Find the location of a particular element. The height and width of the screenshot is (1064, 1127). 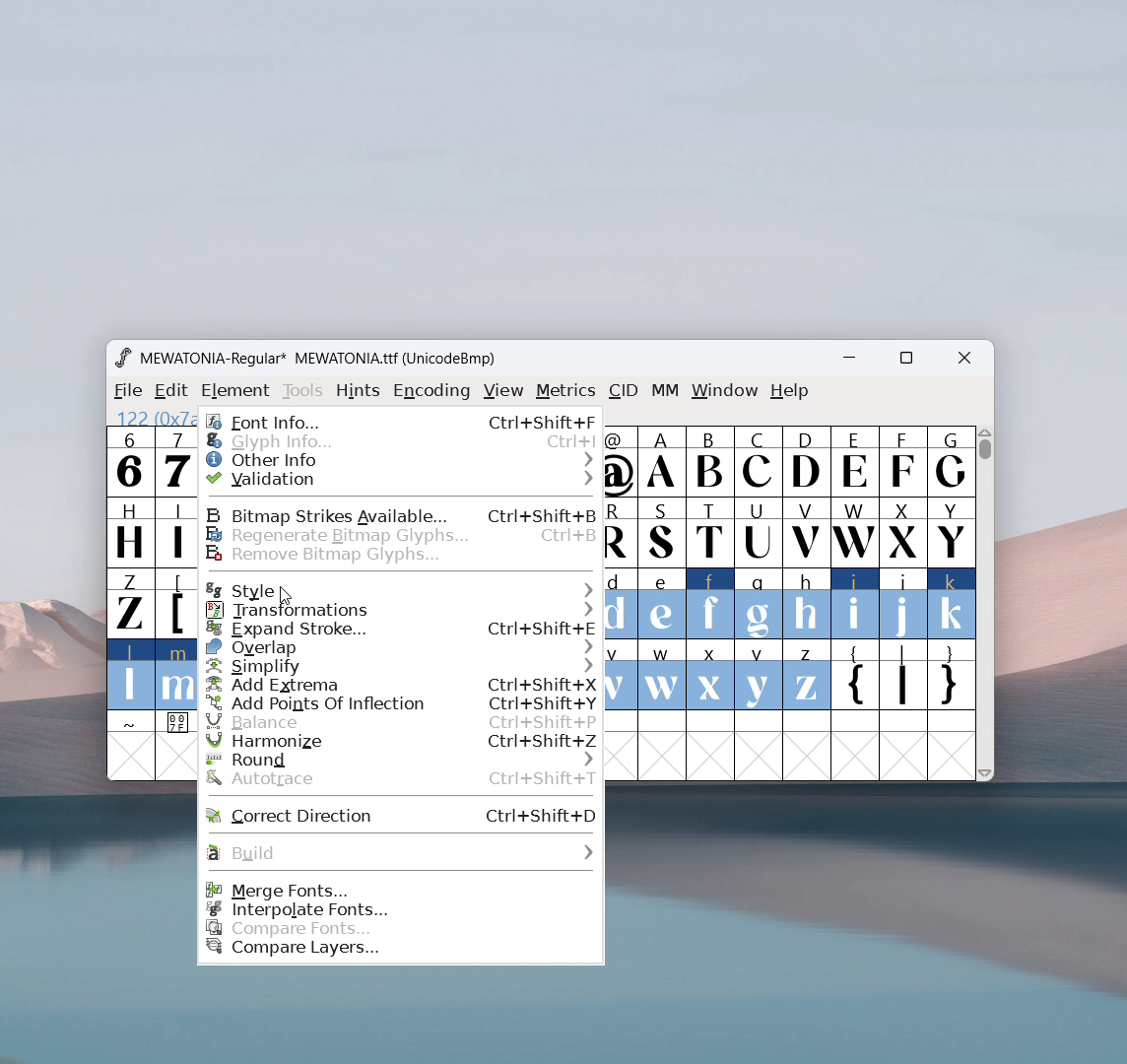

correct direction is located at coordinates (402, 814).